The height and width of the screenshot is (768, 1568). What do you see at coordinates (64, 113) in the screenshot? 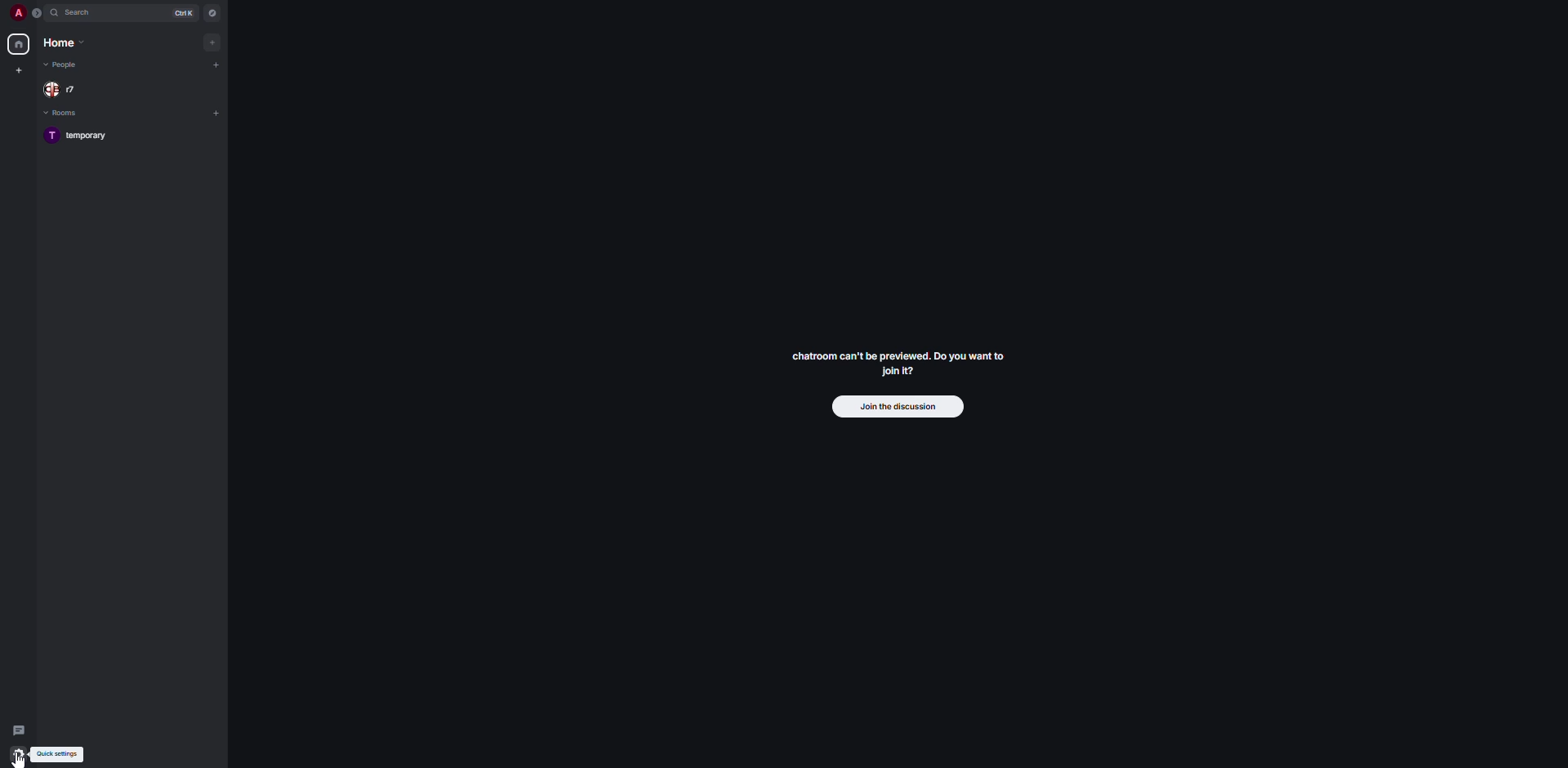
I see `rooms` at bounding box center [64, 113].